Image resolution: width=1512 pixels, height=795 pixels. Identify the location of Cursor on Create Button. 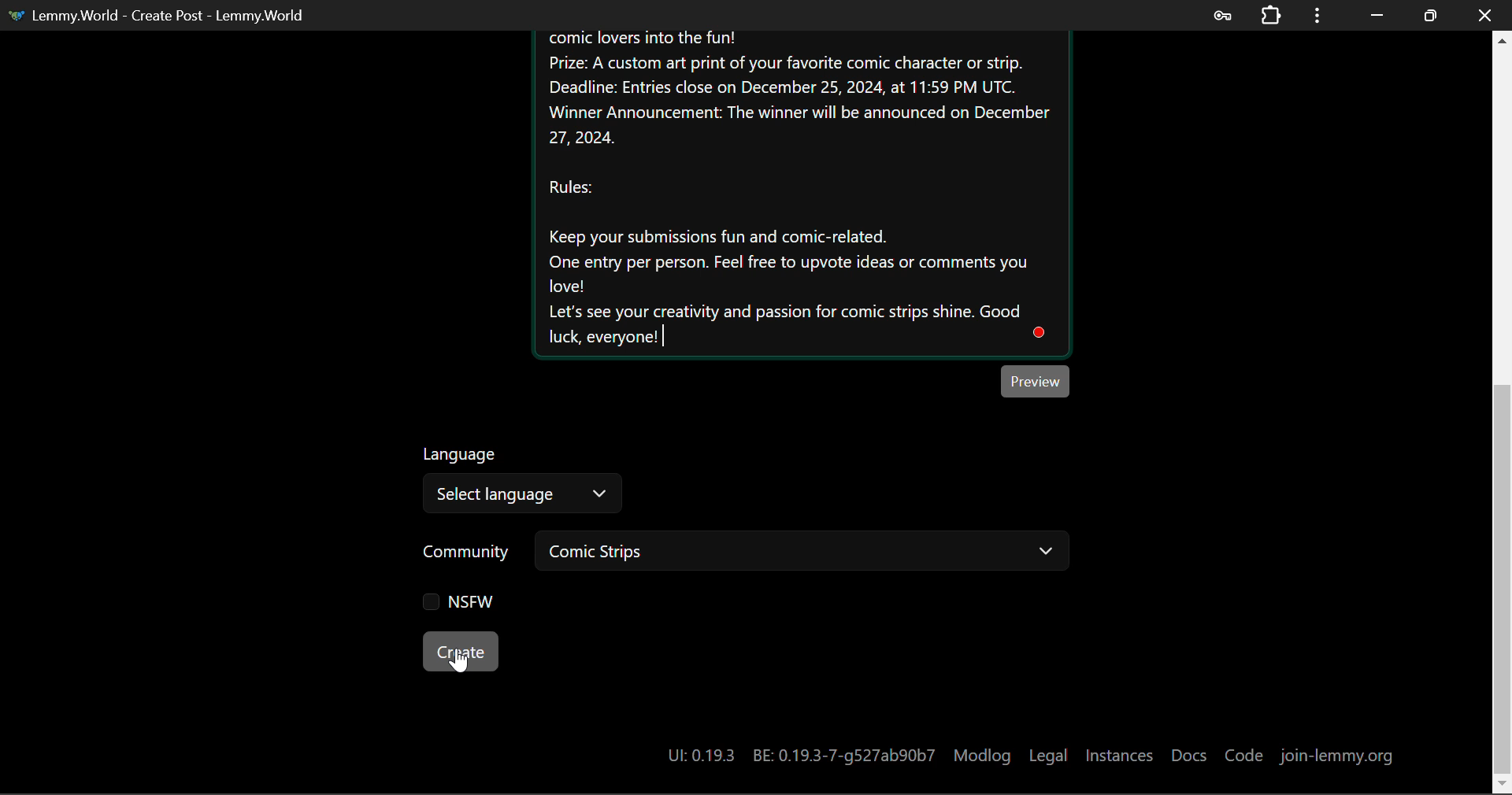
(459, 661).